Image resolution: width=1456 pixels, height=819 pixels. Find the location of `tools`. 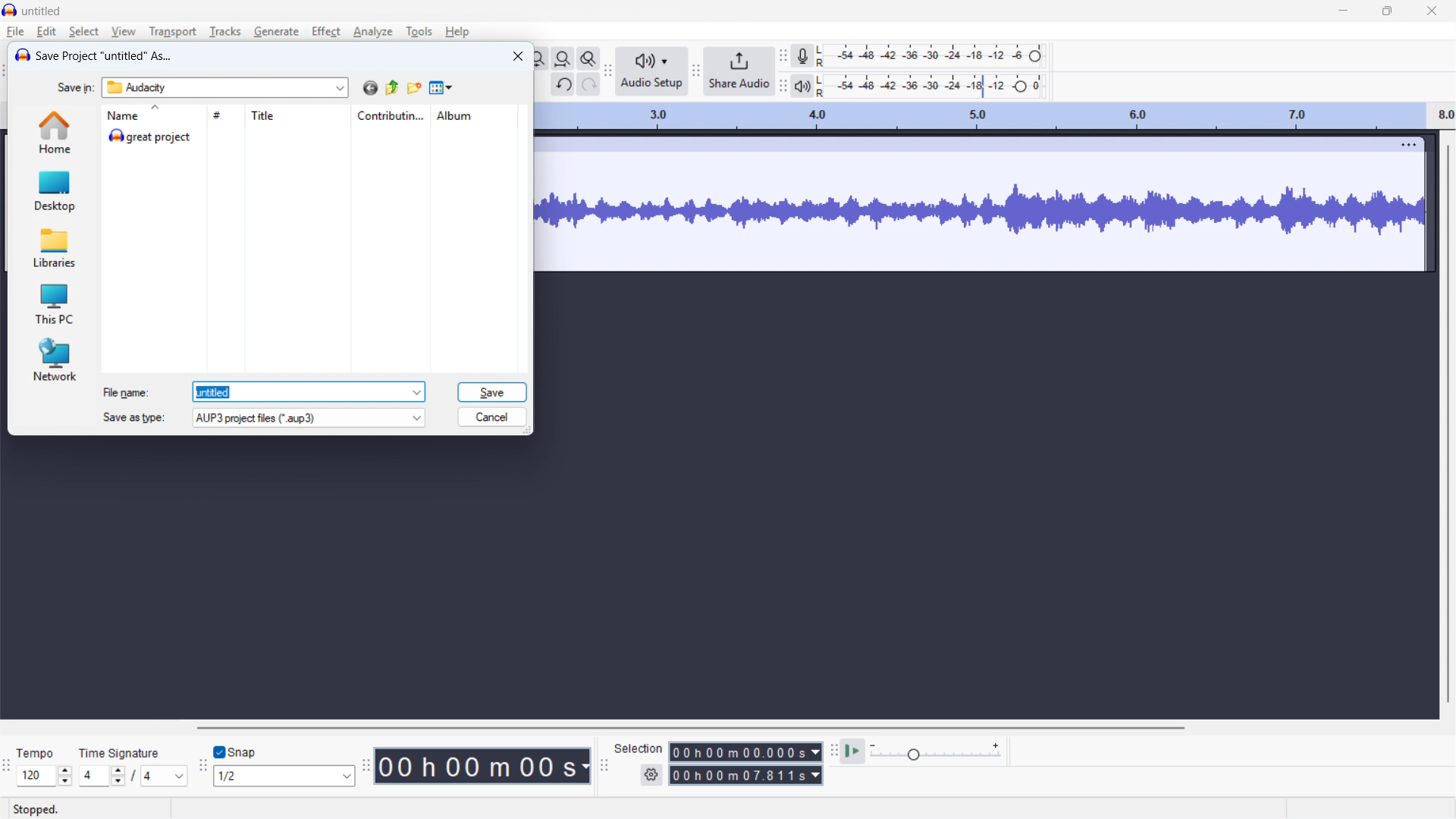

tools is located at coordinates (419, 31).